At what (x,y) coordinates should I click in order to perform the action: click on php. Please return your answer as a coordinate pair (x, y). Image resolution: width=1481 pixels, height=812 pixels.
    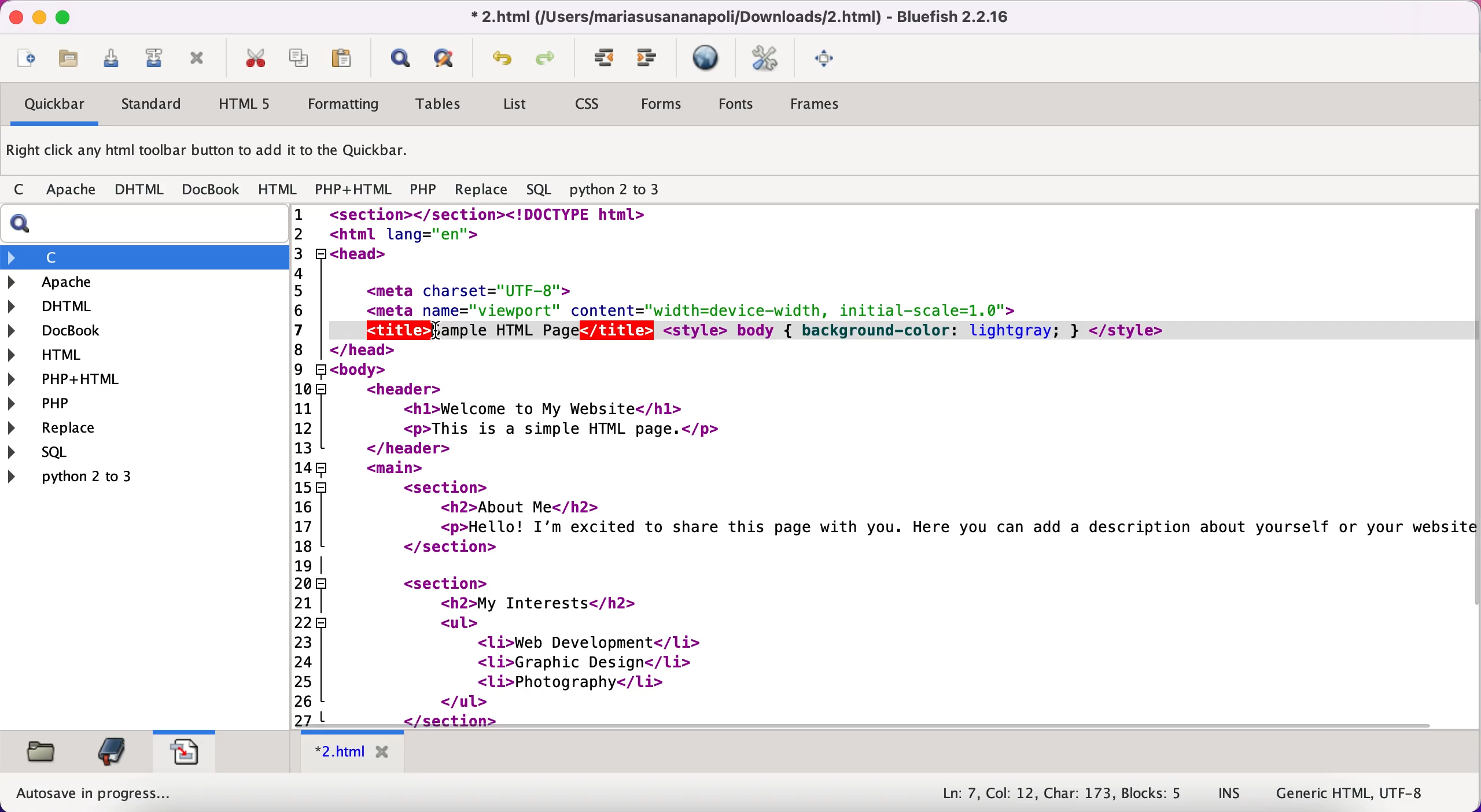
    Looking at the image, I should click on (423, 191).